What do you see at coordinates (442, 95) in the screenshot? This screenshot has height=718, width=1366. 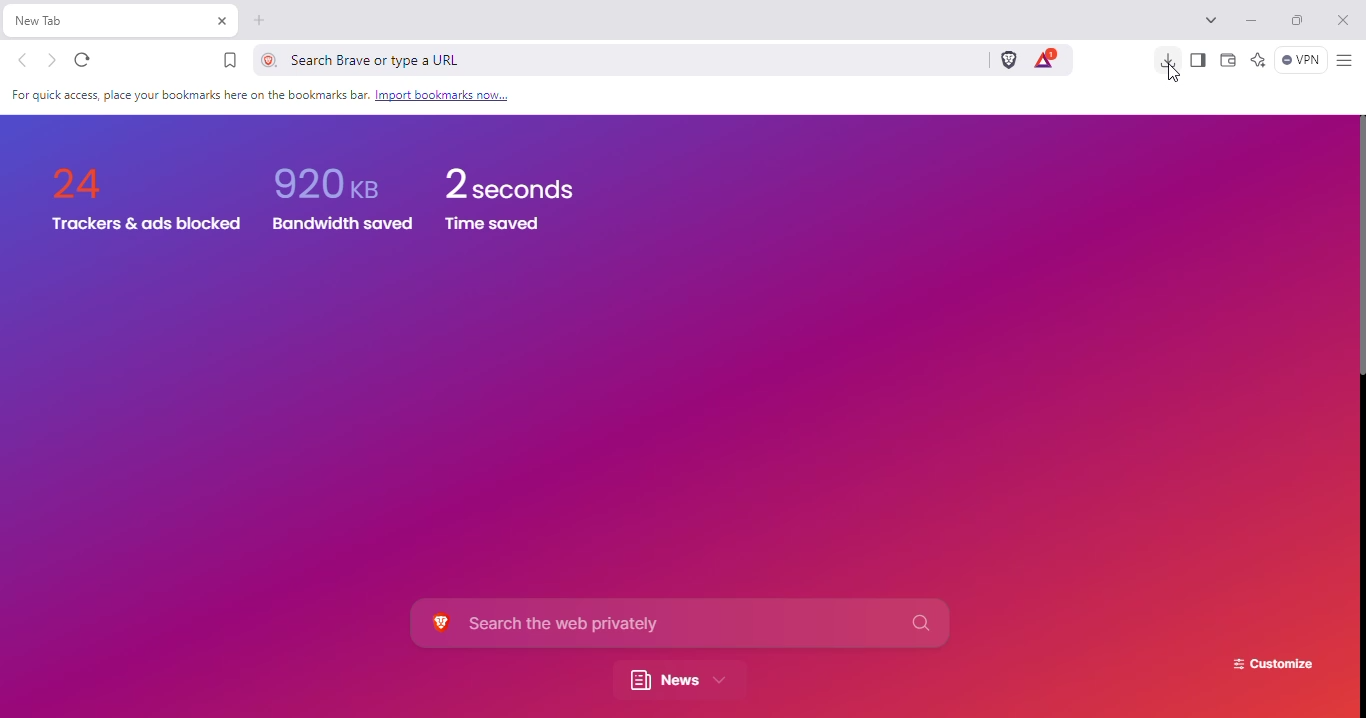 I see `Link` at bounding box center [442, 95].